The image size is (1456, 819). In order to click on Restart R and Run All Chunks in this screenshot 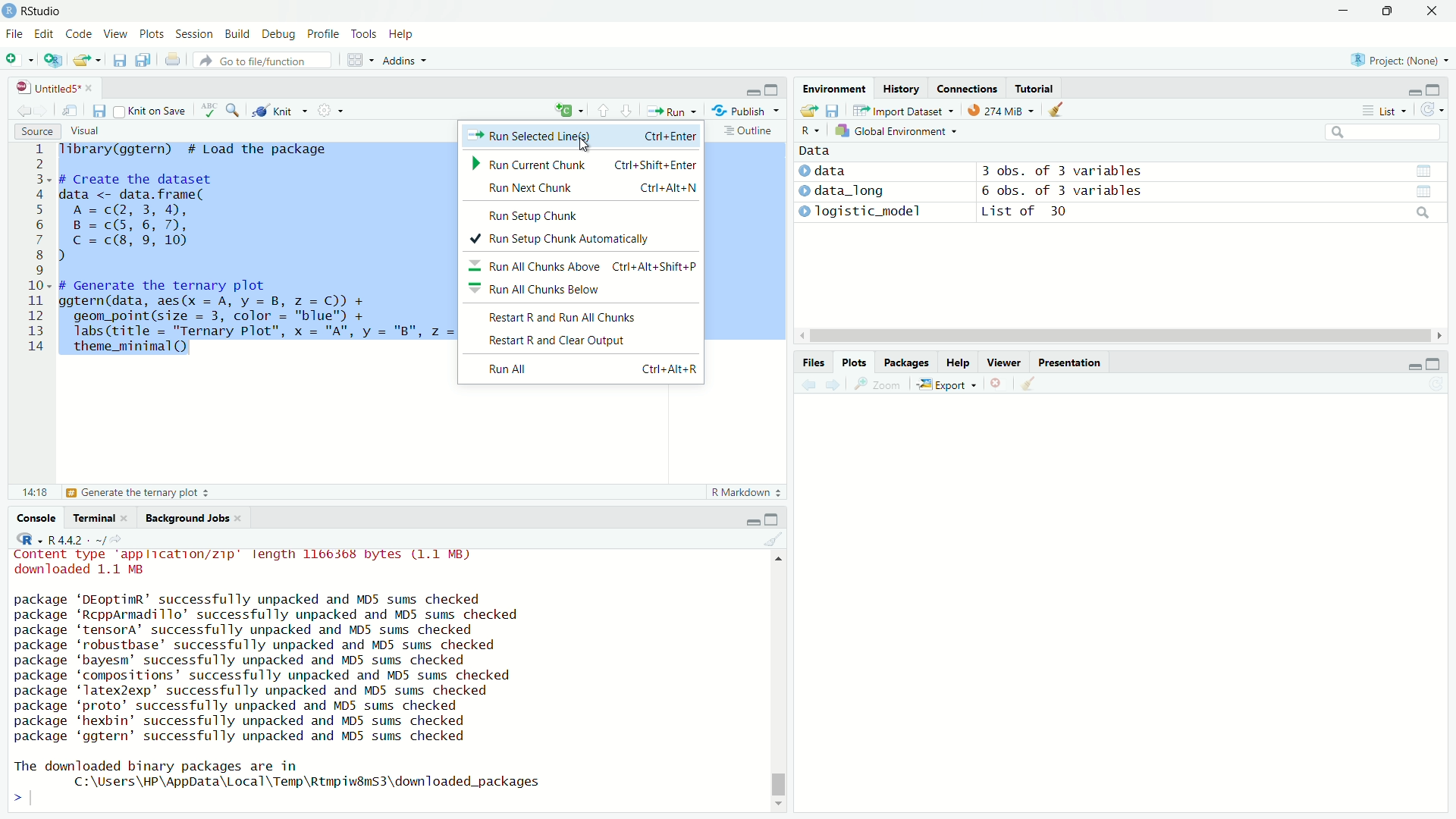, I will do `click(569, 316)`.